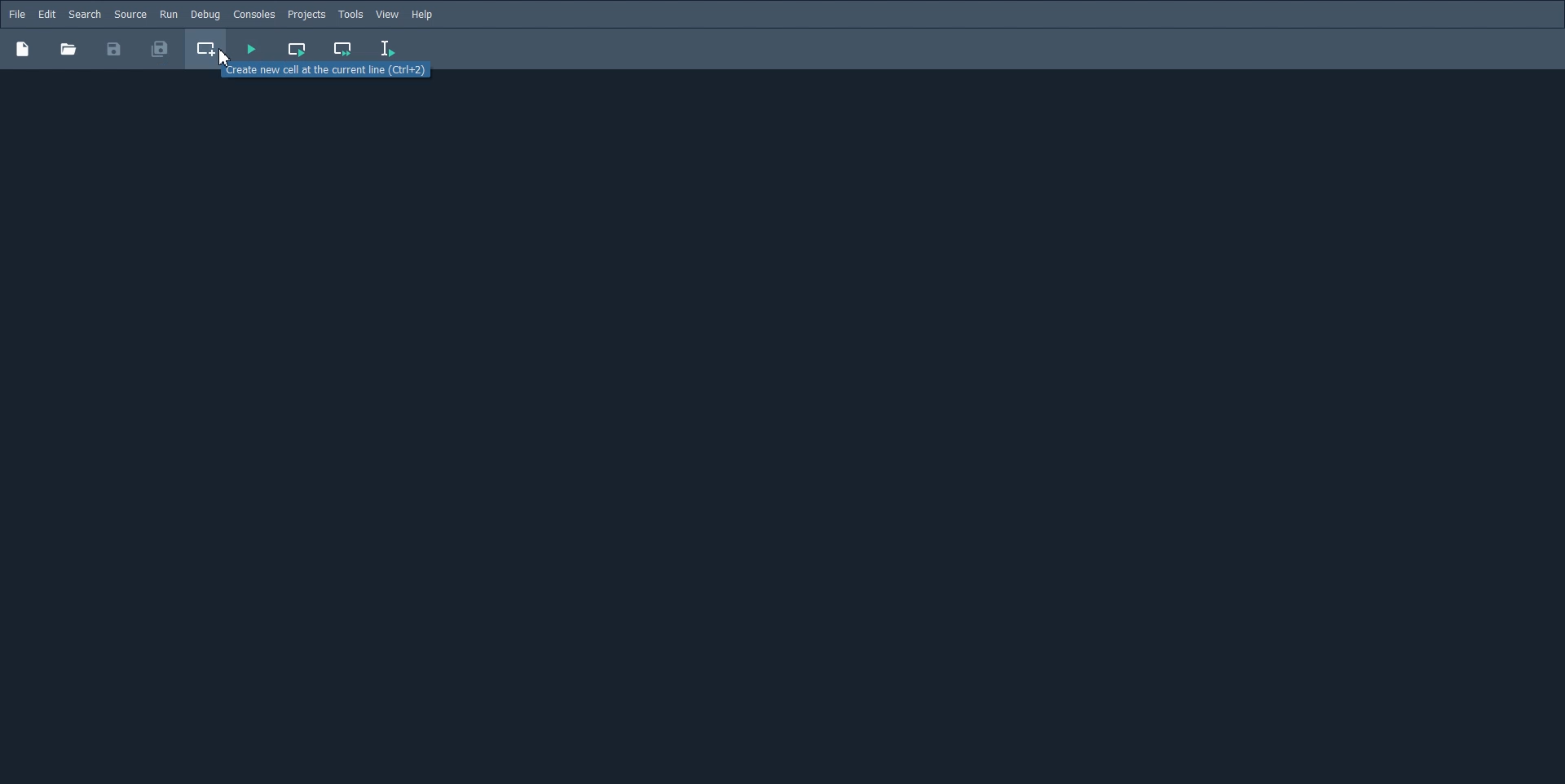  I want to click on Run Selection, so click(388, 49).